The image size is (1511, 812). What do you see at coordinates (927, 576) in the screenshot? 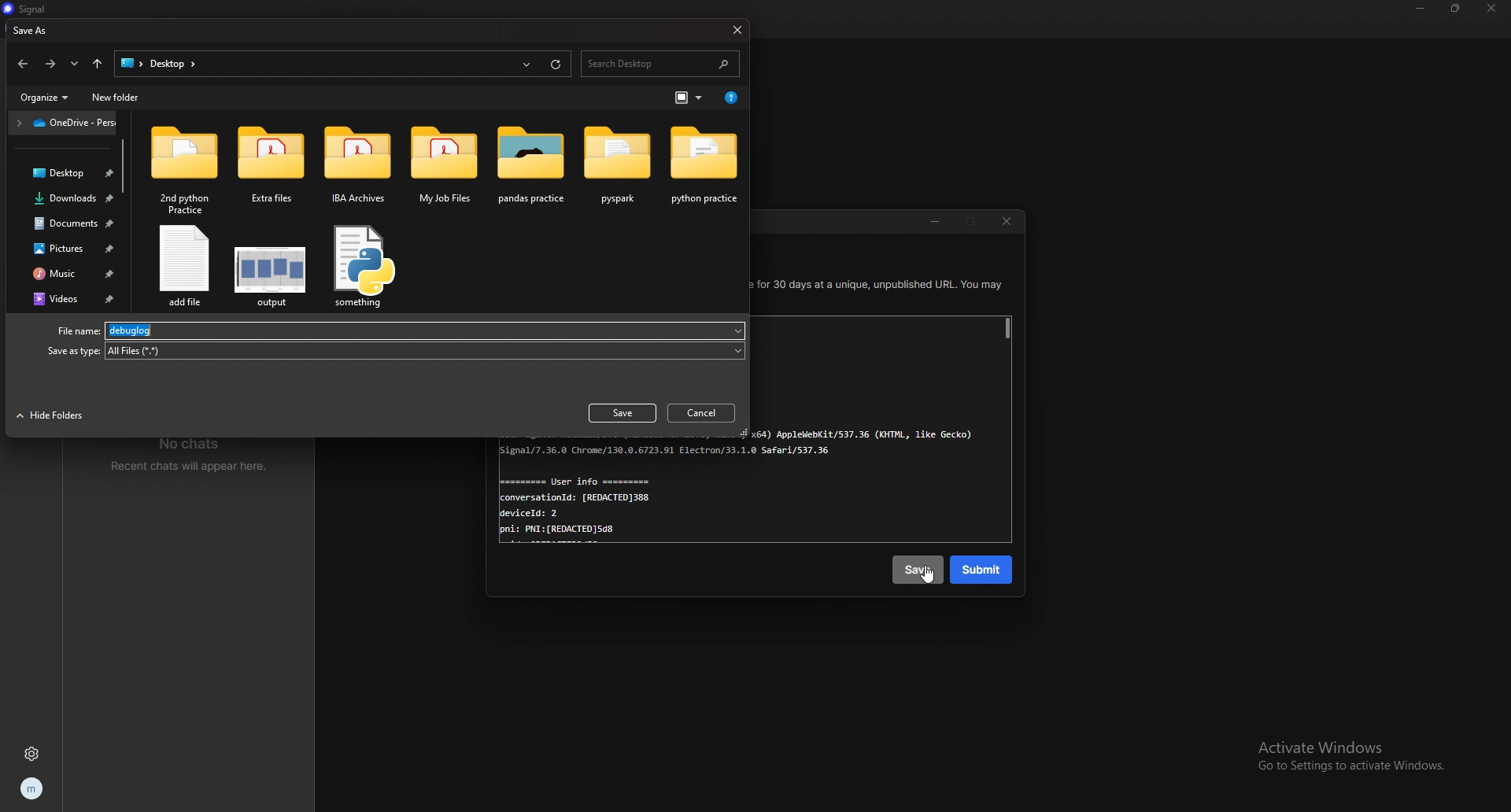
I see `cursor` at bounding box center [927, 576].